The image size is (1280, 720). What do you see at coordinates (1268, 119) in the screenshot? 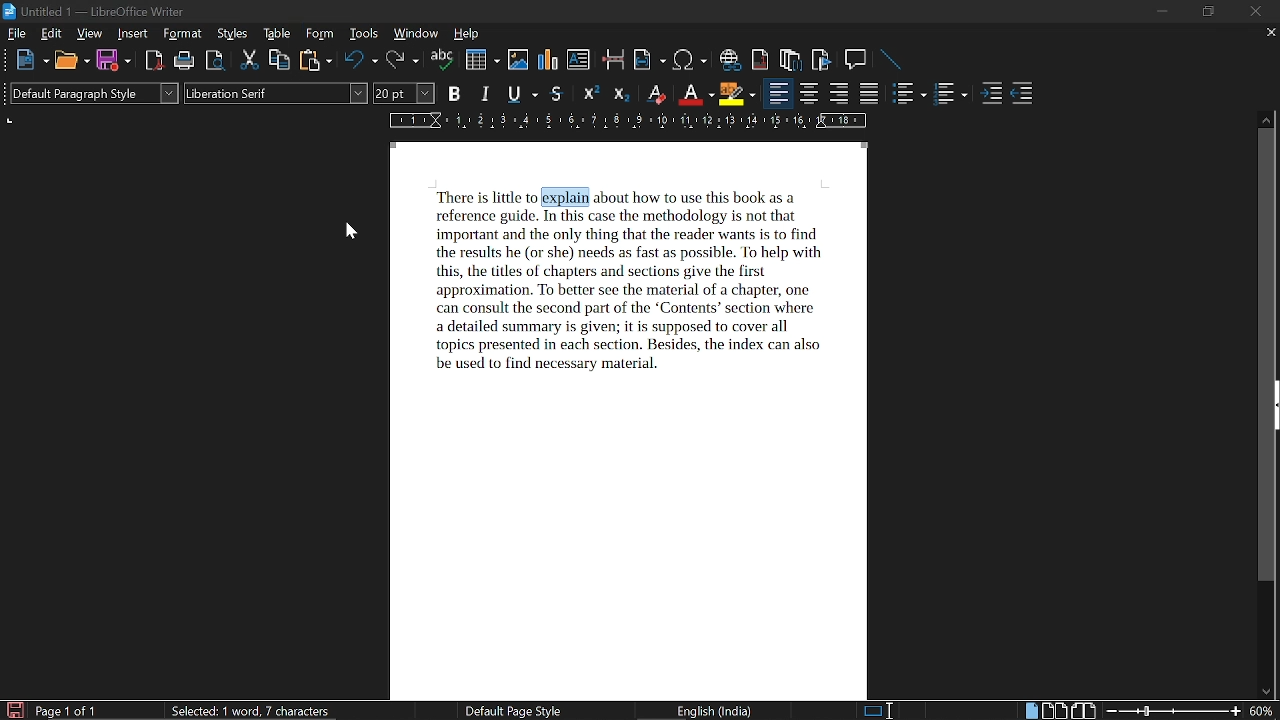
I see `move up` at bounding box center [1268, 119].